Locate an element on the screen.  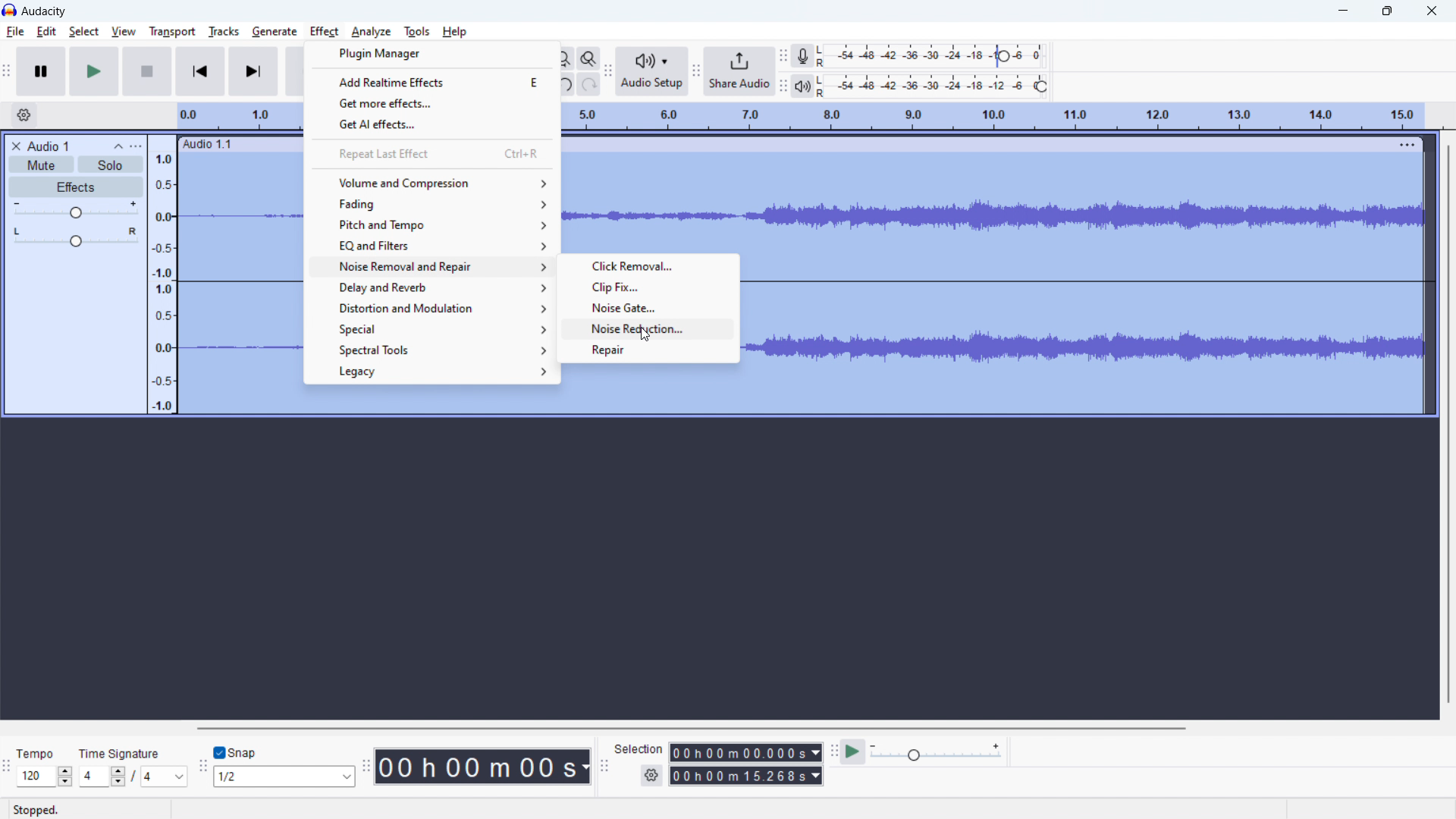
play is located at coordinates (96, 71).